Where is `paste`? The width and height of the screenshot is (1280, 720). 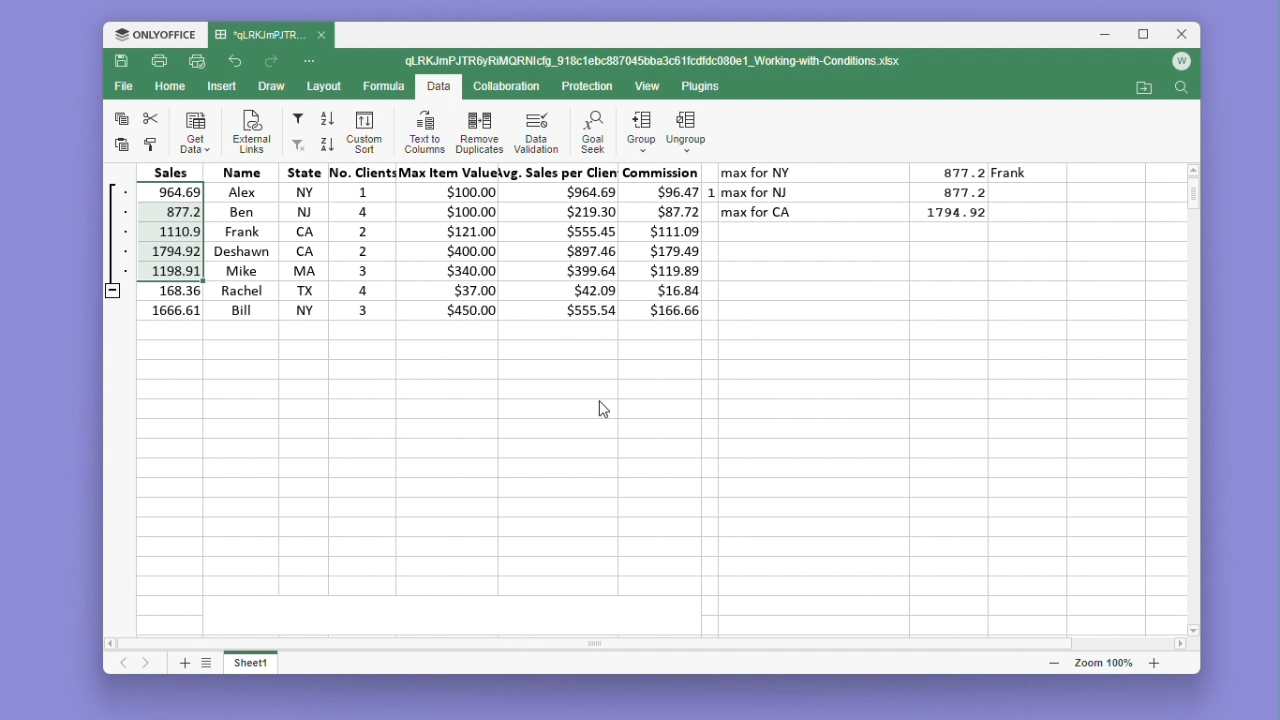 paste is located at coordinates (119, 144).